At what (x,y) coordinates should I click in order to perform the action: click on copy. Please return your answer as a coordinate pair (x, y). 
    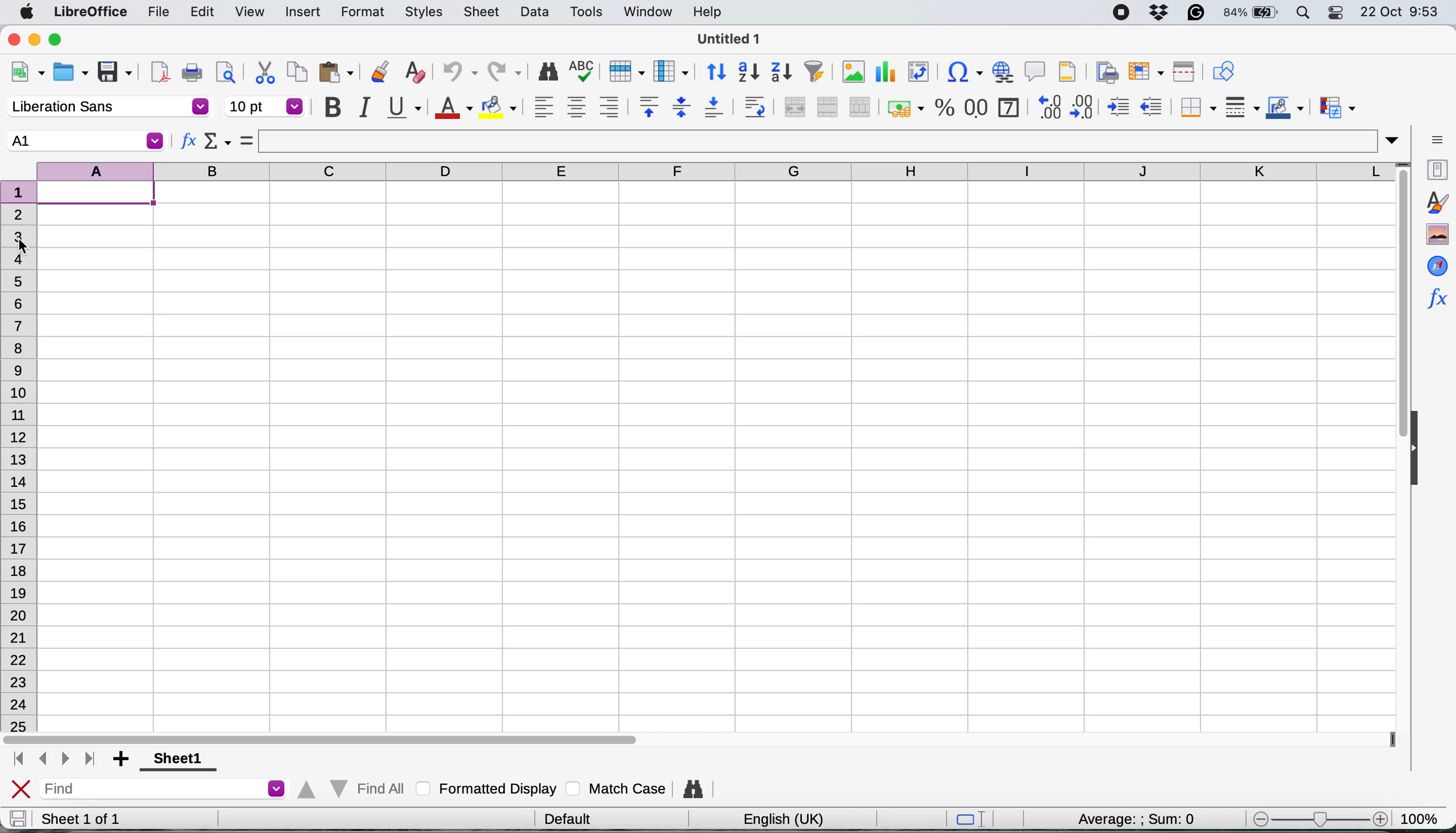
    Looking at the image, I should click on (298, 72).